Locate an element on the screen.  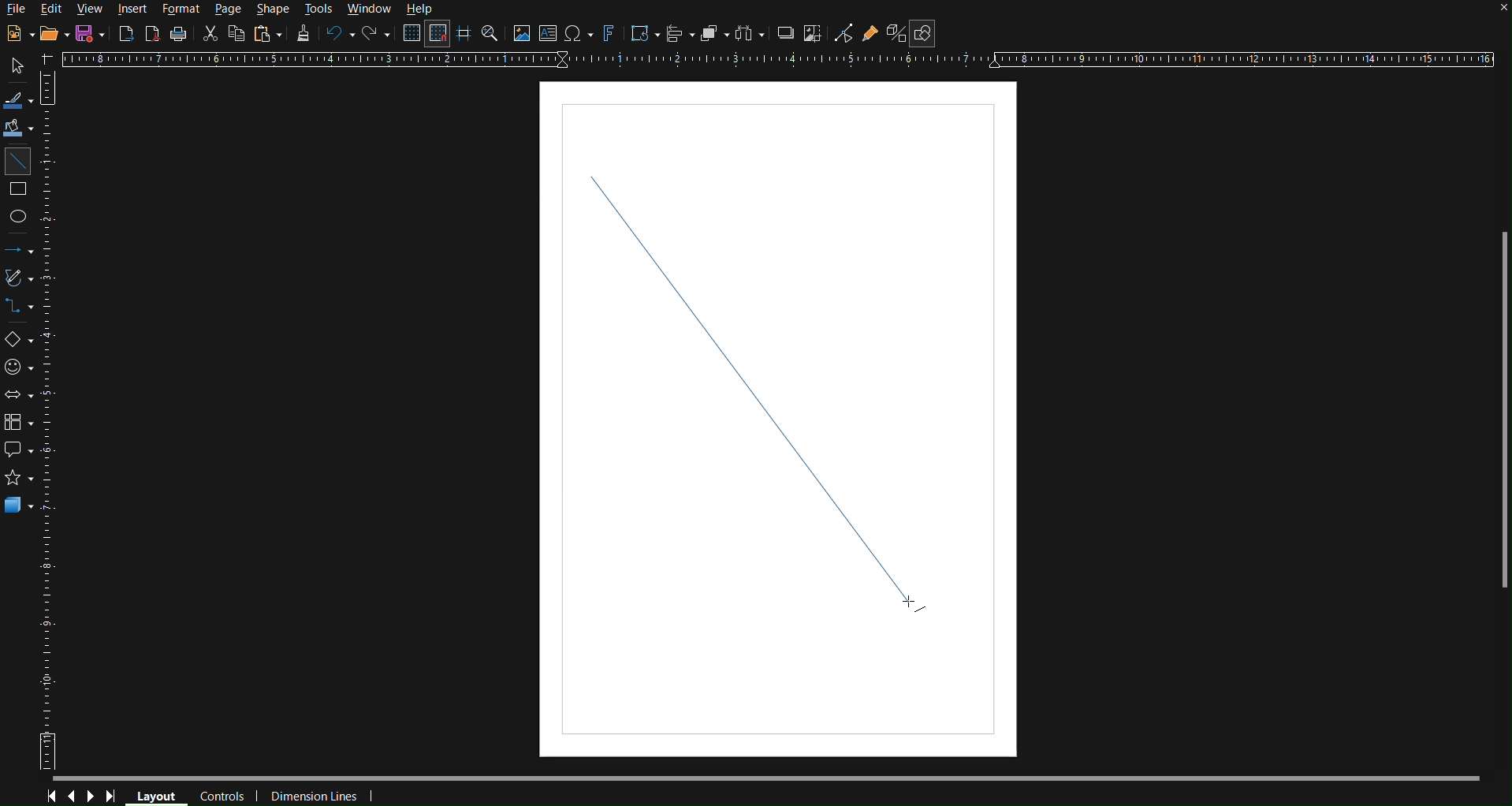
Save is located at coordinates (86, 34).